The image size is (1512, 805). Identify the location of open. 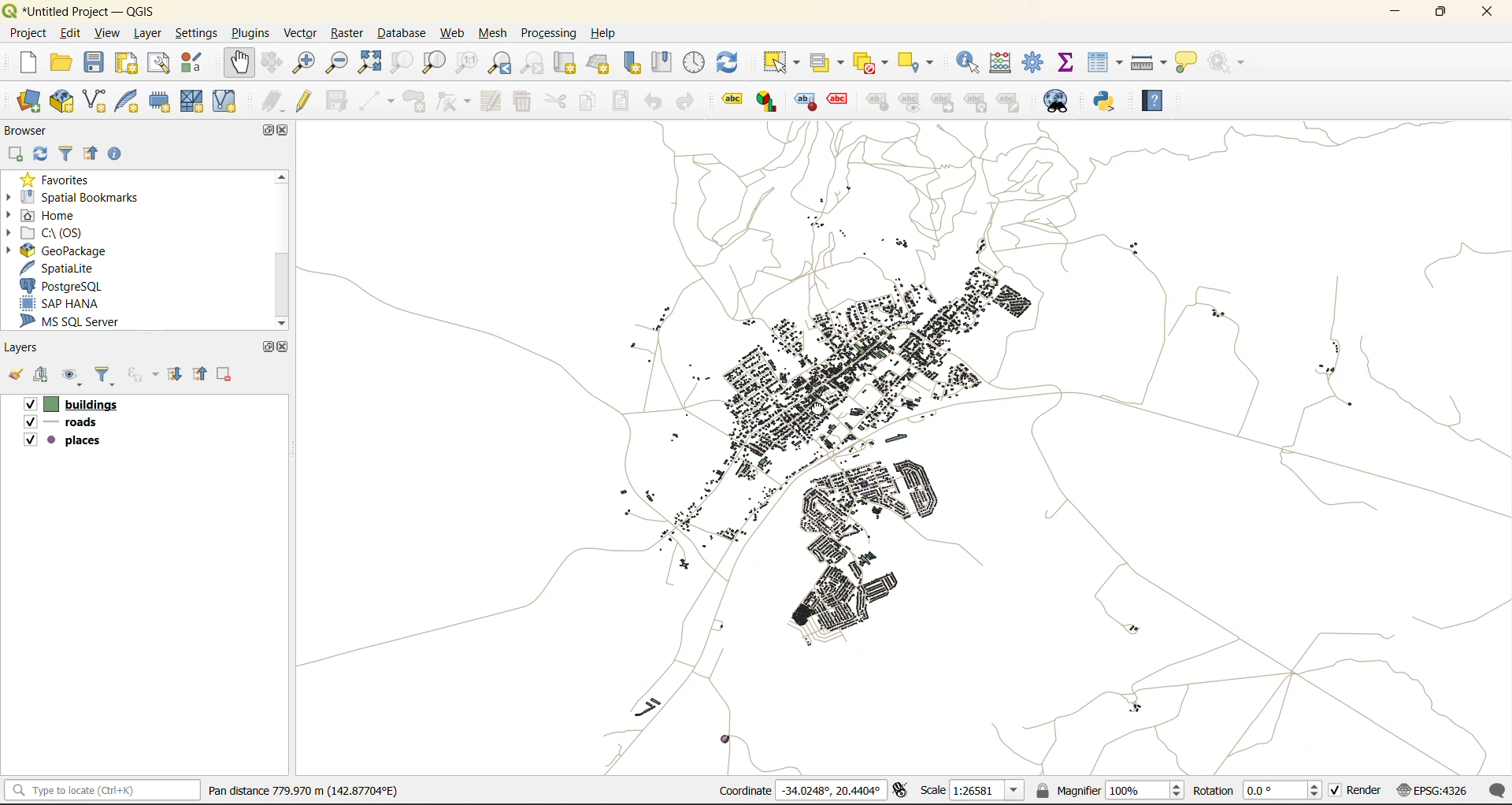
(16, 375).